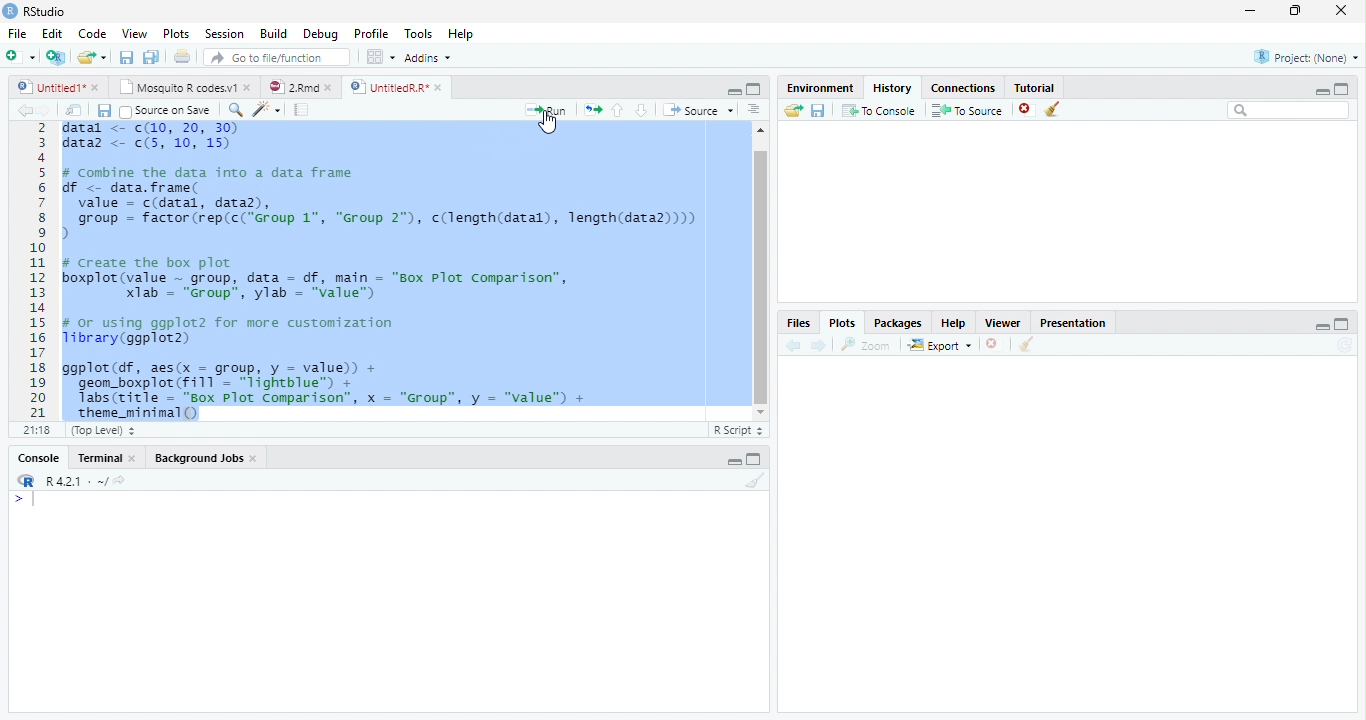  I want to click on Mosquito R codes.v1, so click(175, 87).